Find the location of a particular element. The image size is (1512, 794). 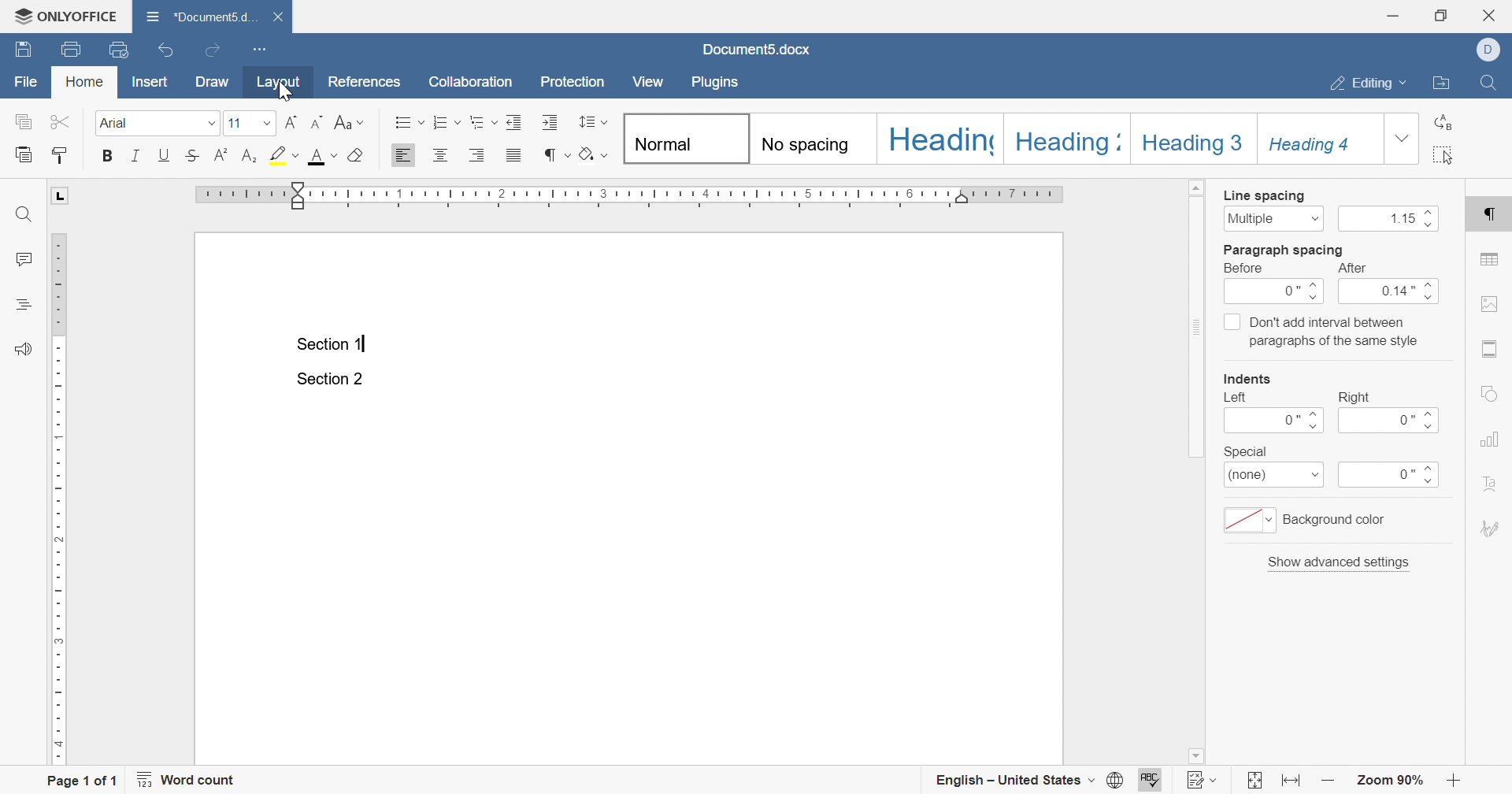

before is located at coordinates (1247, 269).